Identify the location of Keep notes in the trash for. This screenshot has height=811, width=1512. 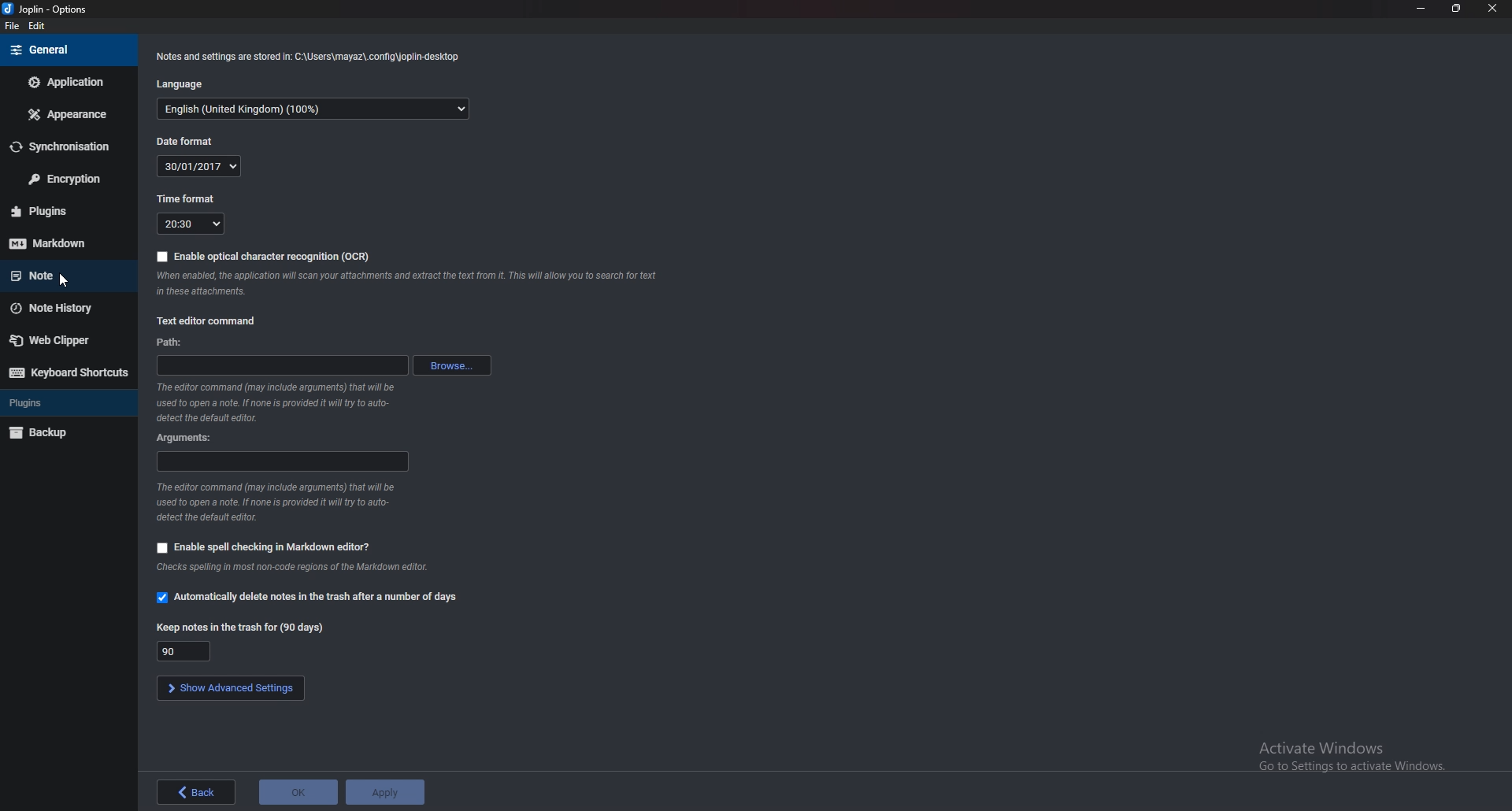
(187, 650).